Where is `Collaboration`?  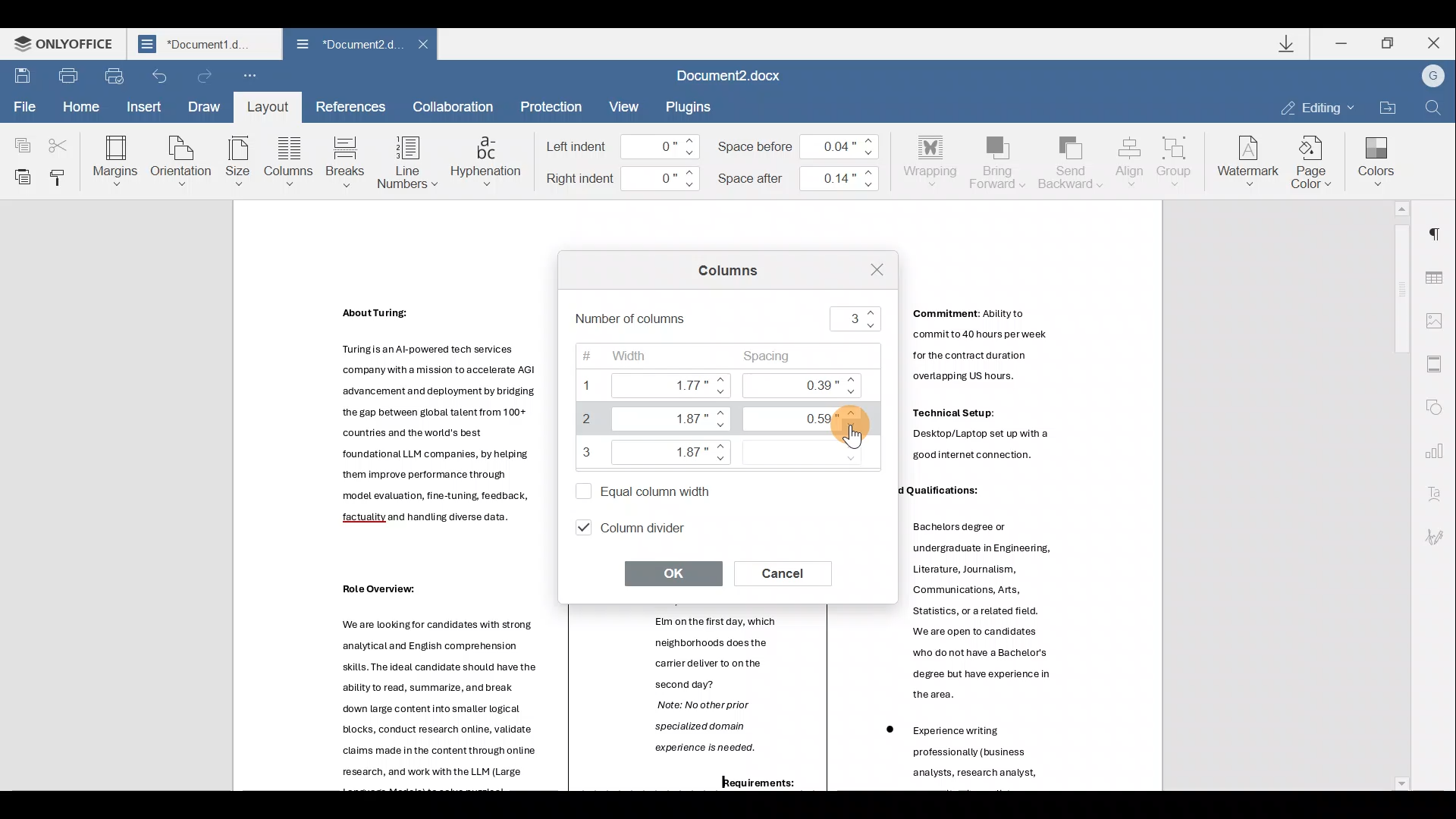 Collaboration is located at coordinates (453, 106).